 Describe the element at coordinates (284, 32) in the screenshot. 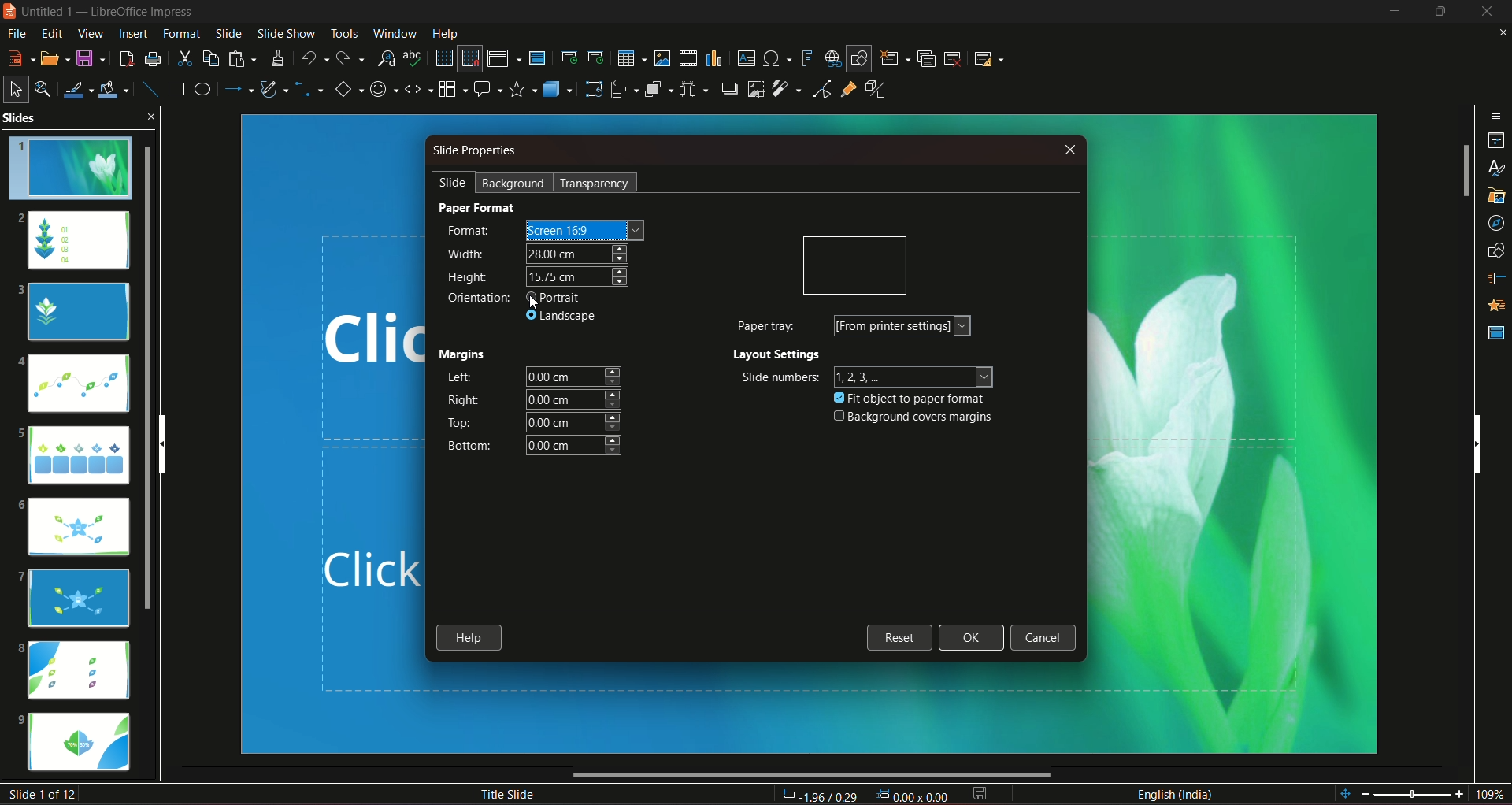

I see `slideshow` at that location.